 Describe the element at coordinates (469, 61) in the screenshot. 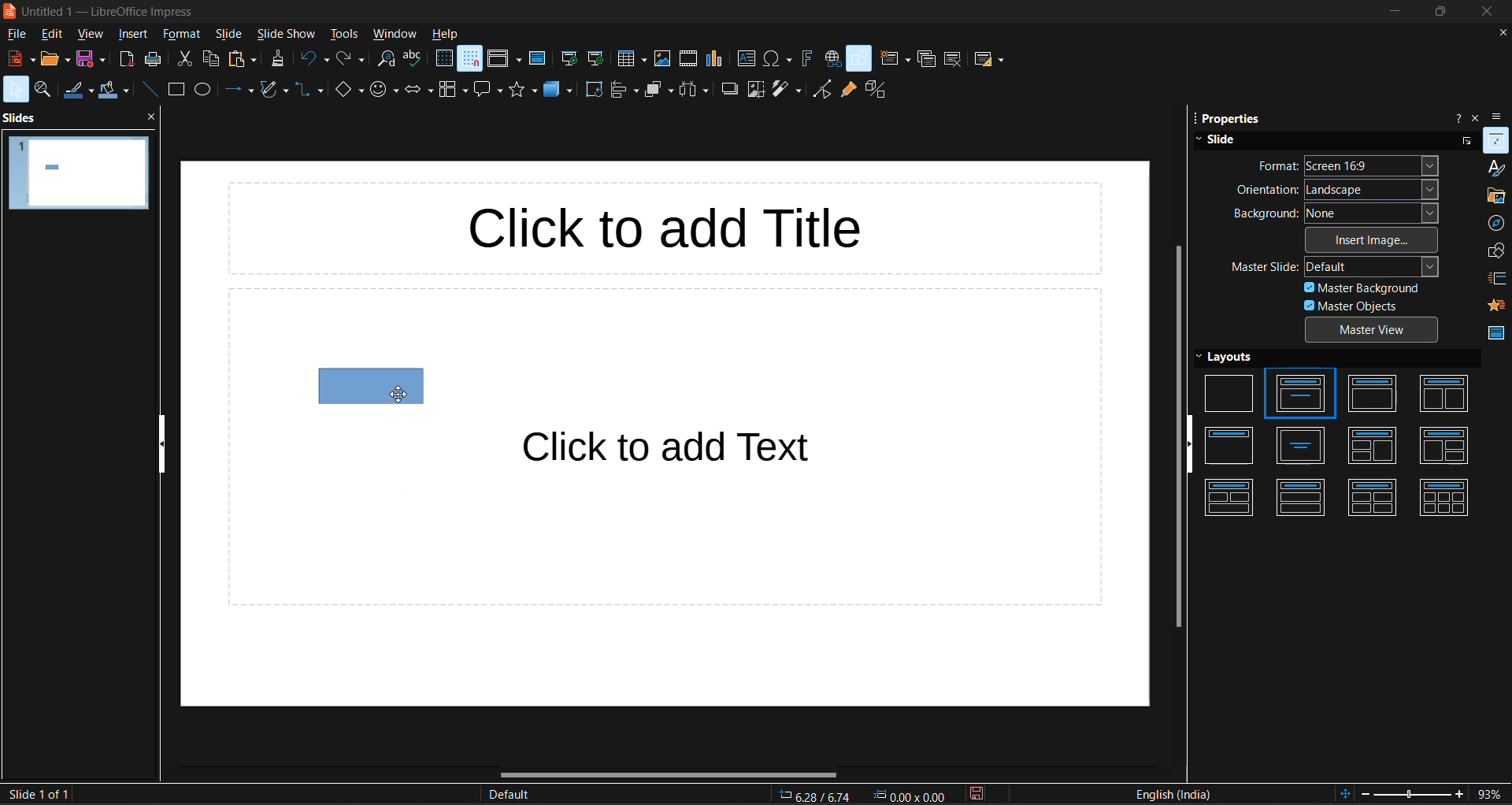

I see `snao to grid` at that location.